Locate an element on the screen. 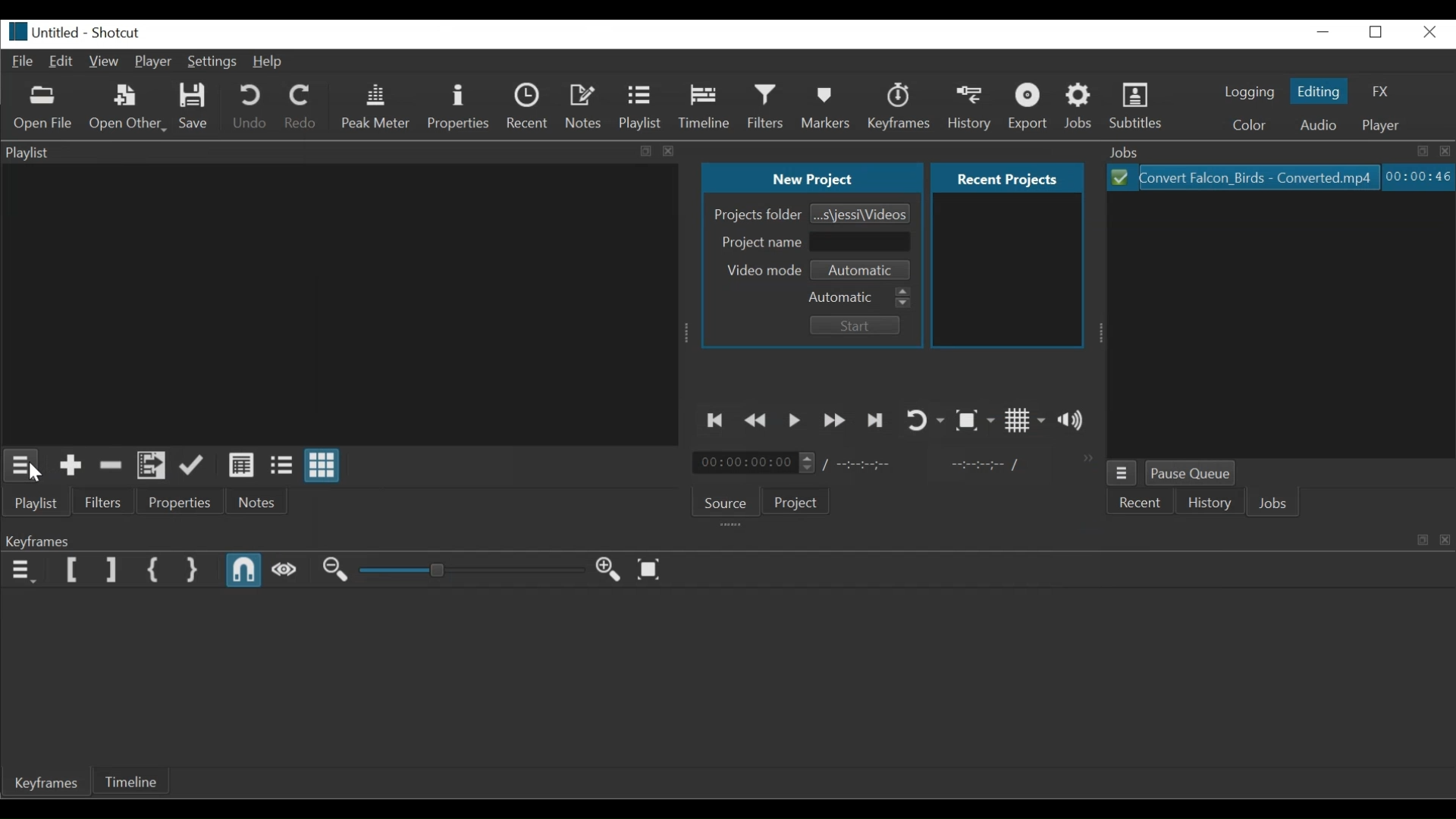 This screenshot has height=819, width=1456. In point is located at coordinates (986, 465).